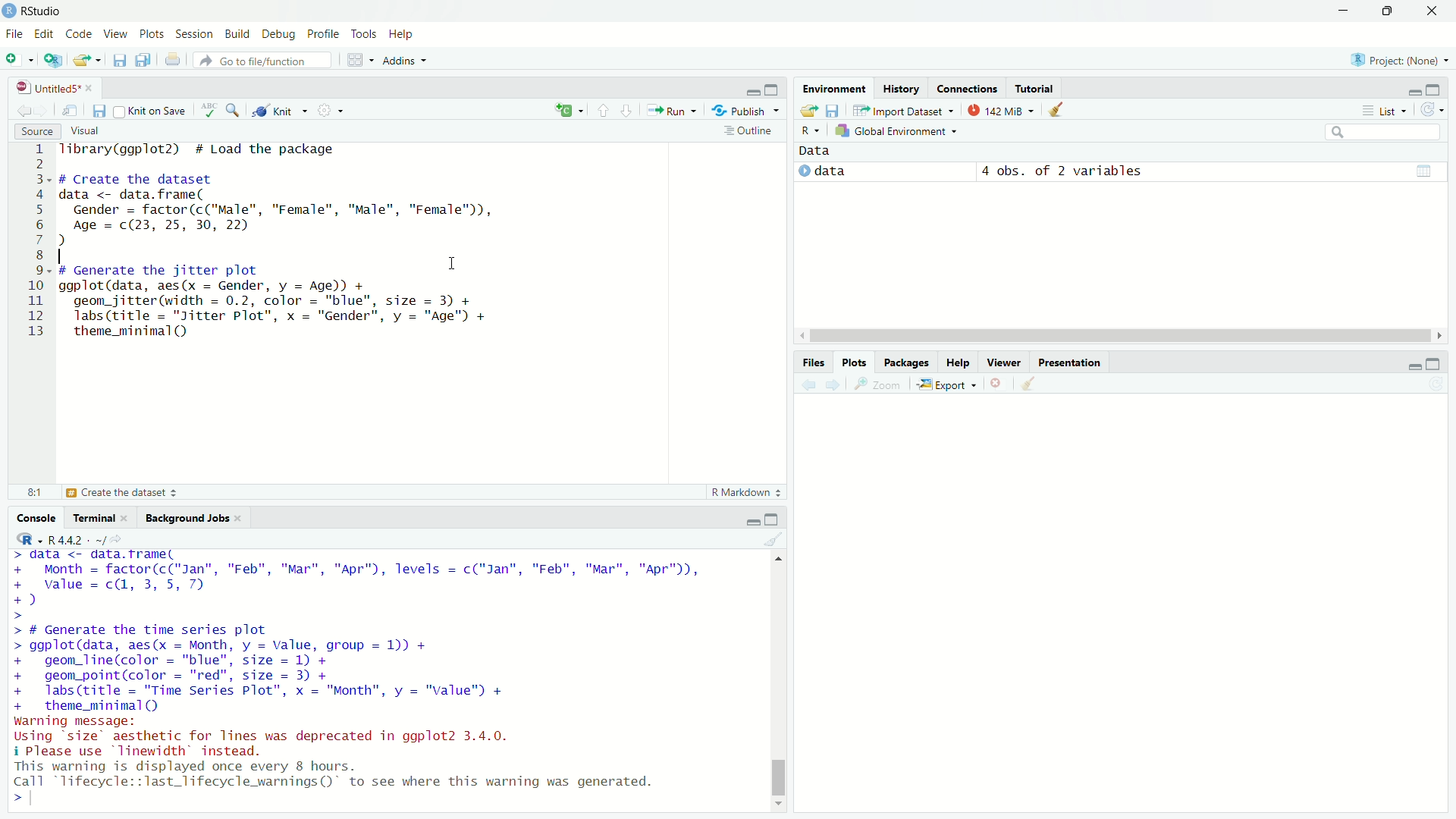 The width and height of the screenshot is (1456, 819). What do you see at coordinates (99, 111) in the screenshot?
I see `save current document` at bounding box center [99, 111].